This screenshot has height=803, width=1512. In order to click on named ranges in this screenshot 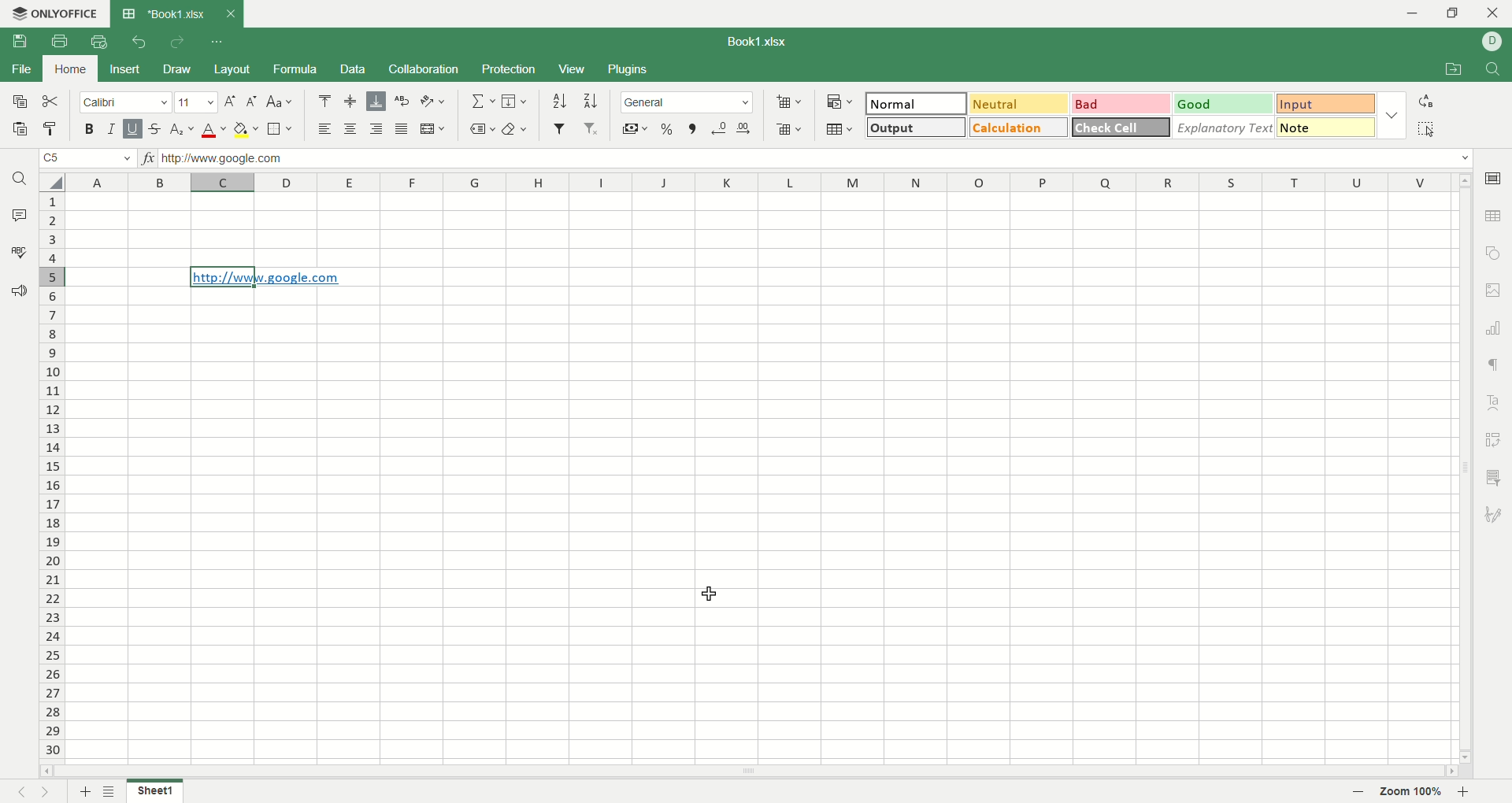, I will do `click(482, 128)`.